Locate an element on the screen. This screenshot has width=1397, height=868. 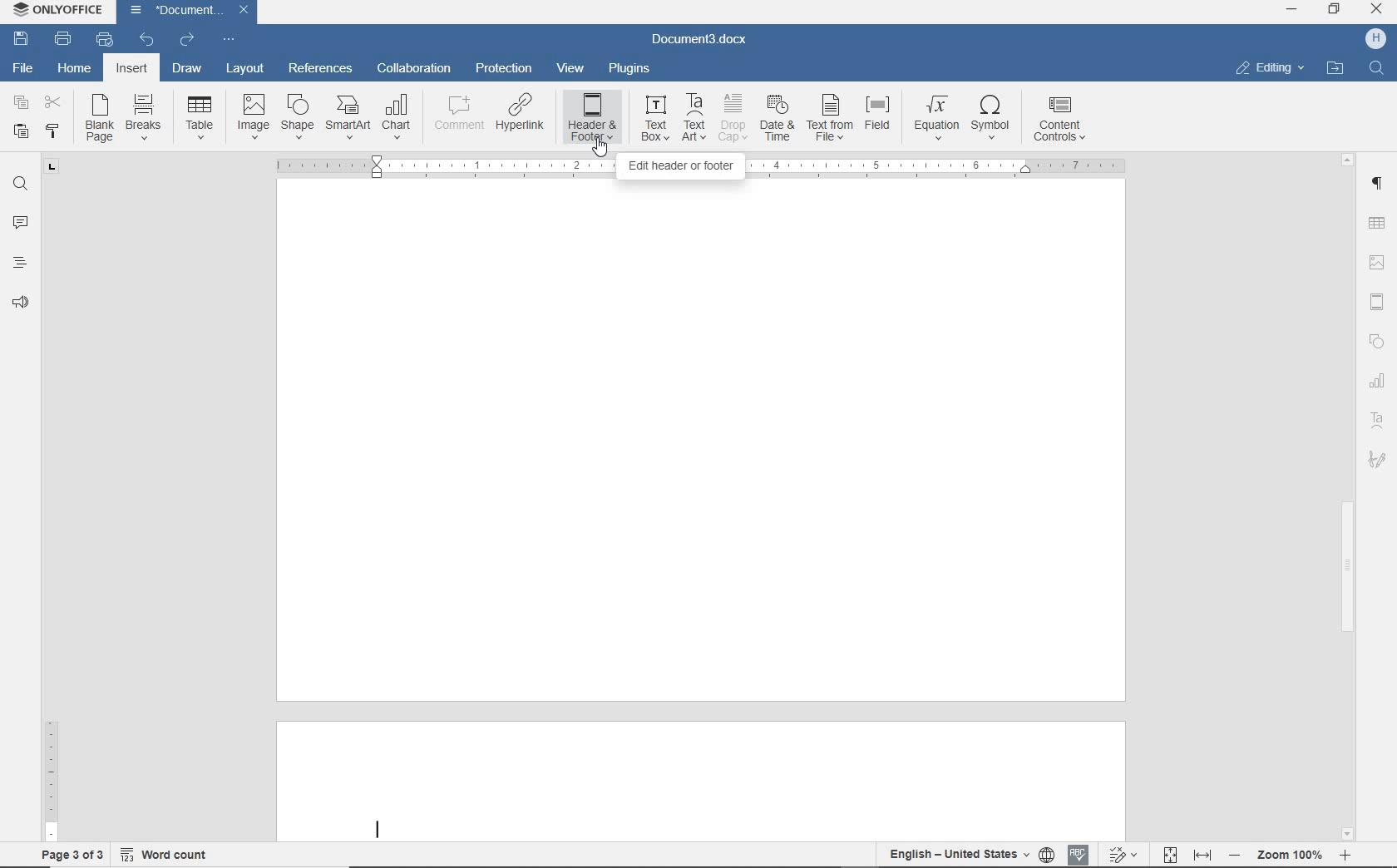
PRINT is located at coordinates (64, 39).